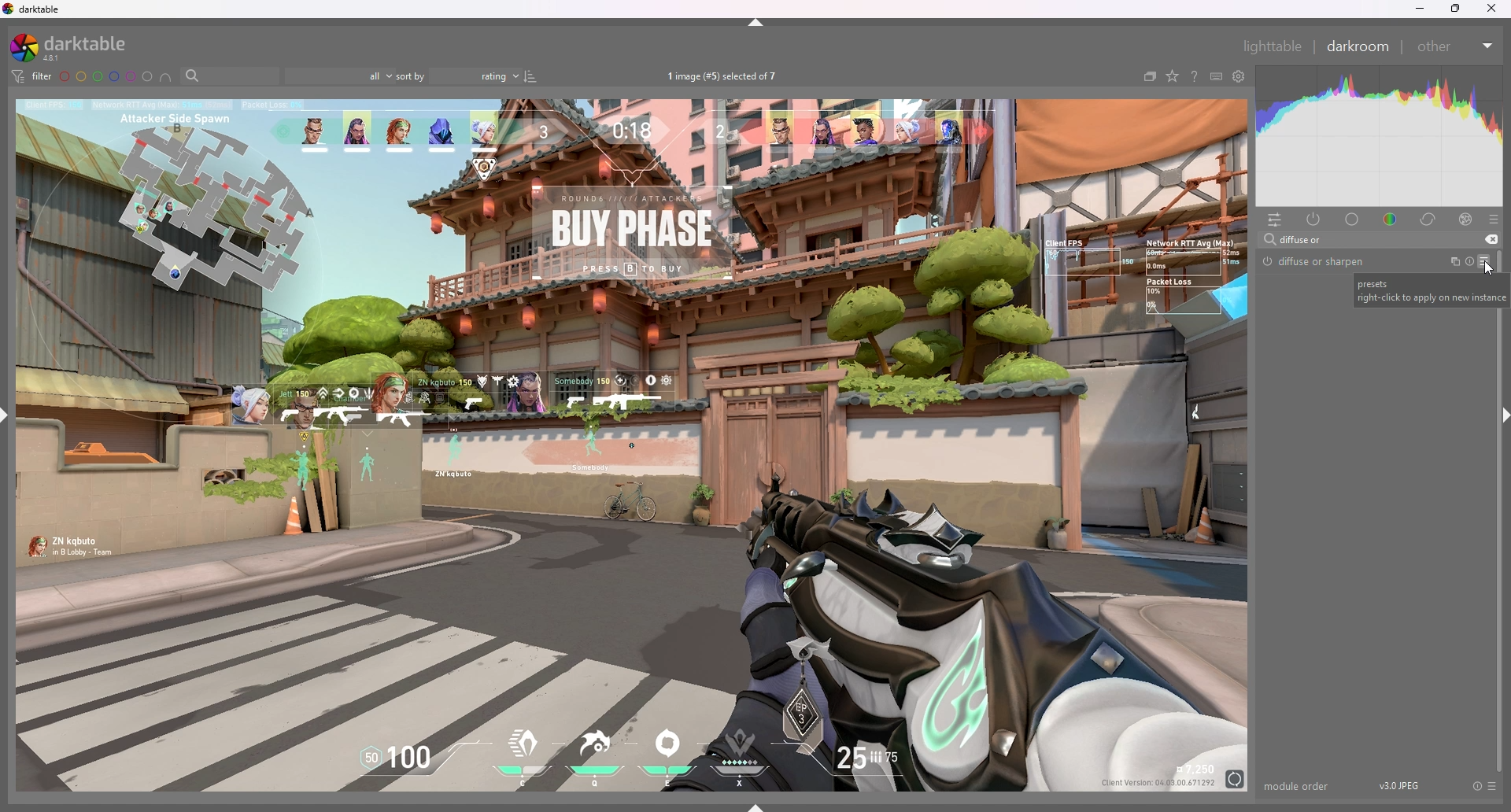 The height and width of the screenshot is (812, 1511). Describe the element at coordinates (1491, 239) in the screenshot. I see `cut input` at that location.